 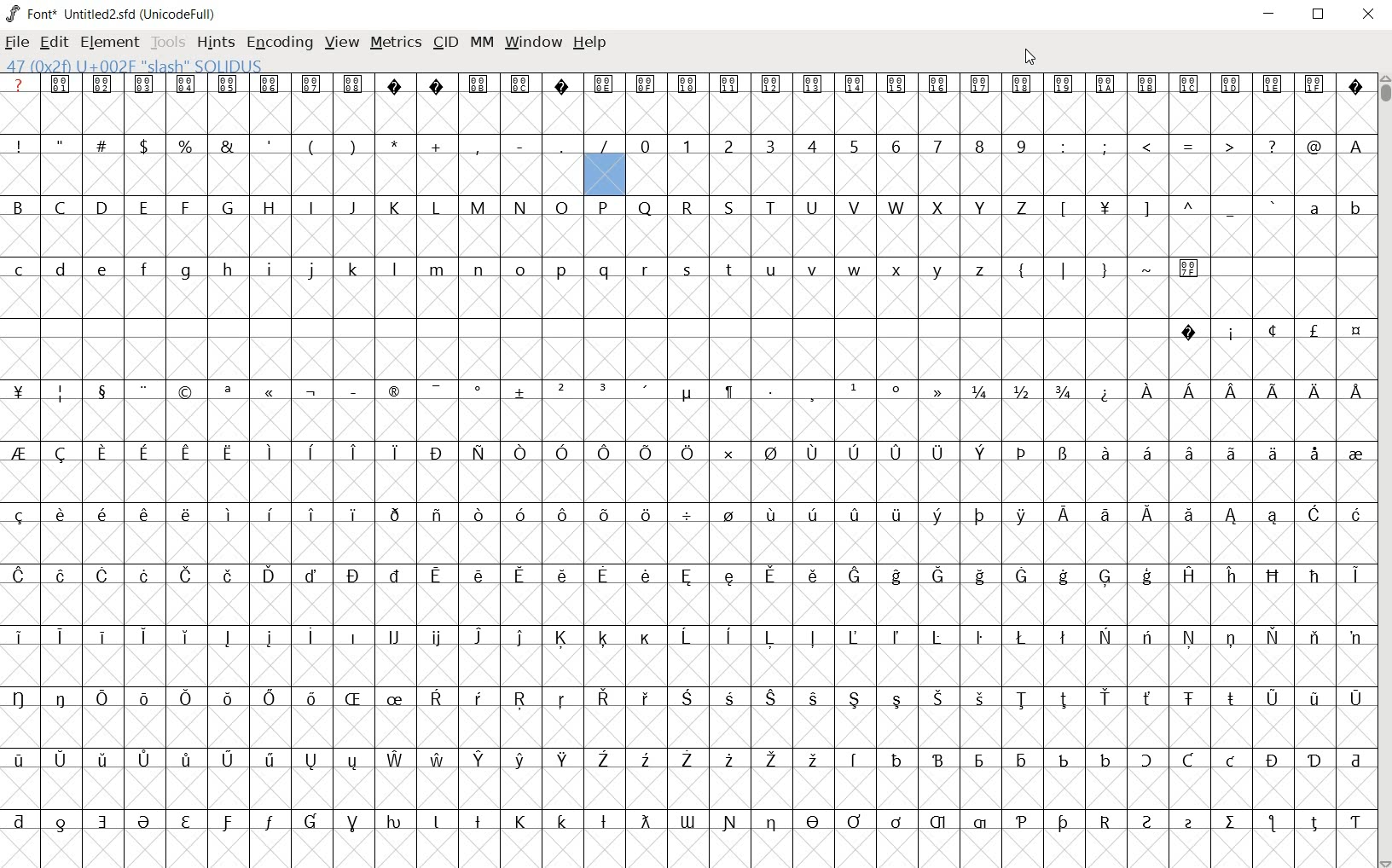 I want to click on empty cells, so click(x=691, y=542).